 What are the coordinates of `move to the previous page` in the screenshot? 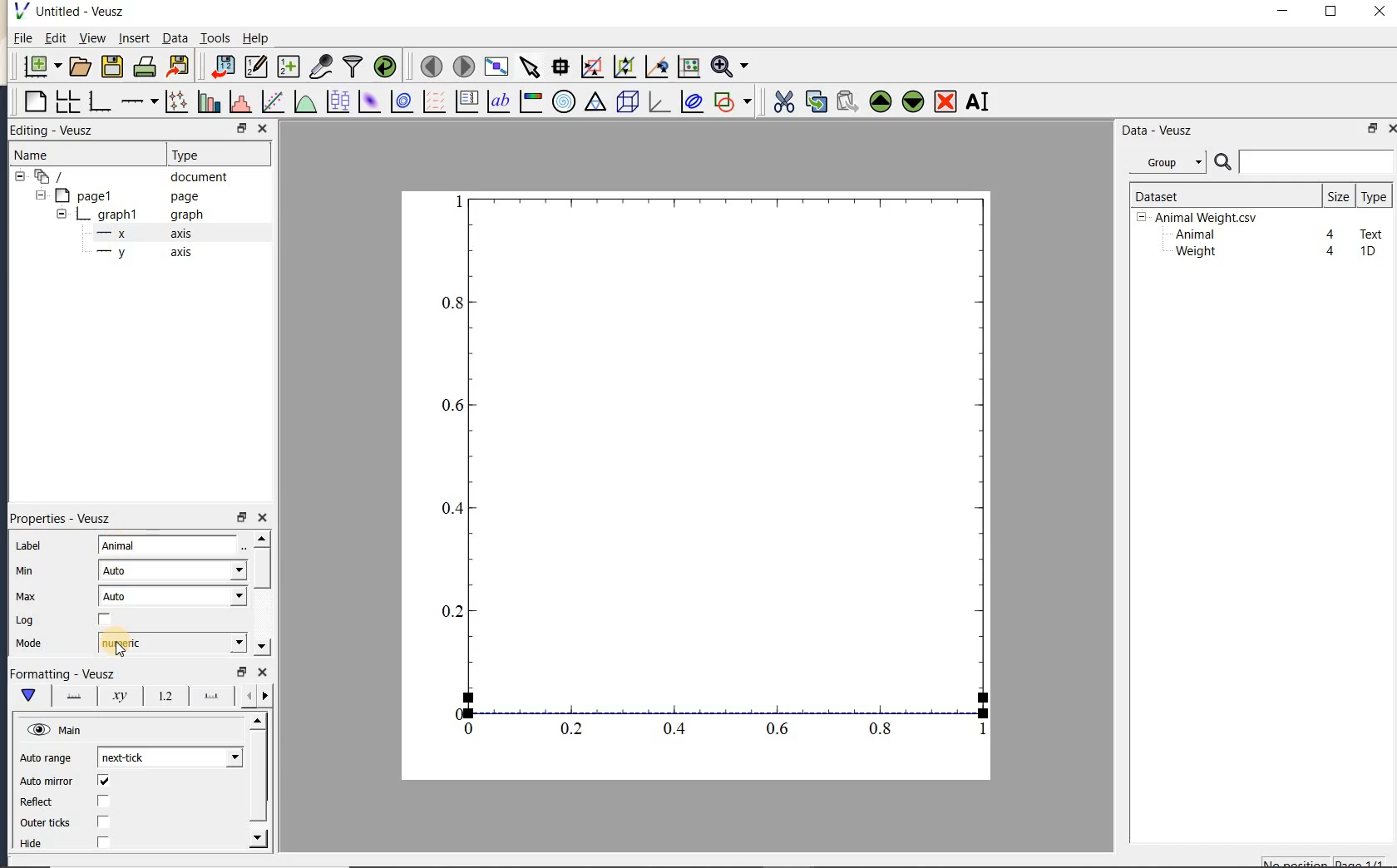 It's located at (428, 65).